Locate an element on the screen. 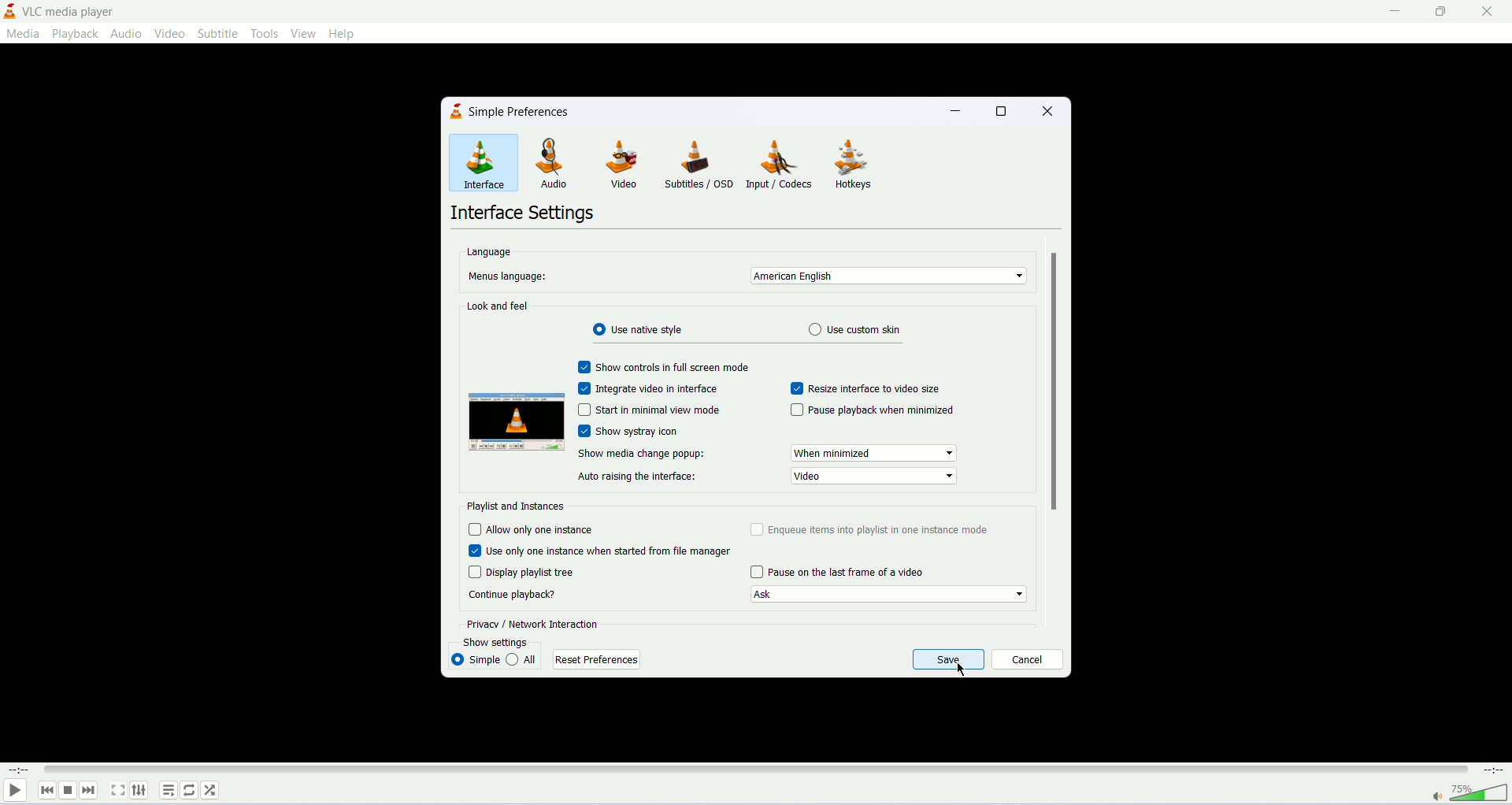 The image size is (1512, 805). maximize is located at coordinates (1439, 12).